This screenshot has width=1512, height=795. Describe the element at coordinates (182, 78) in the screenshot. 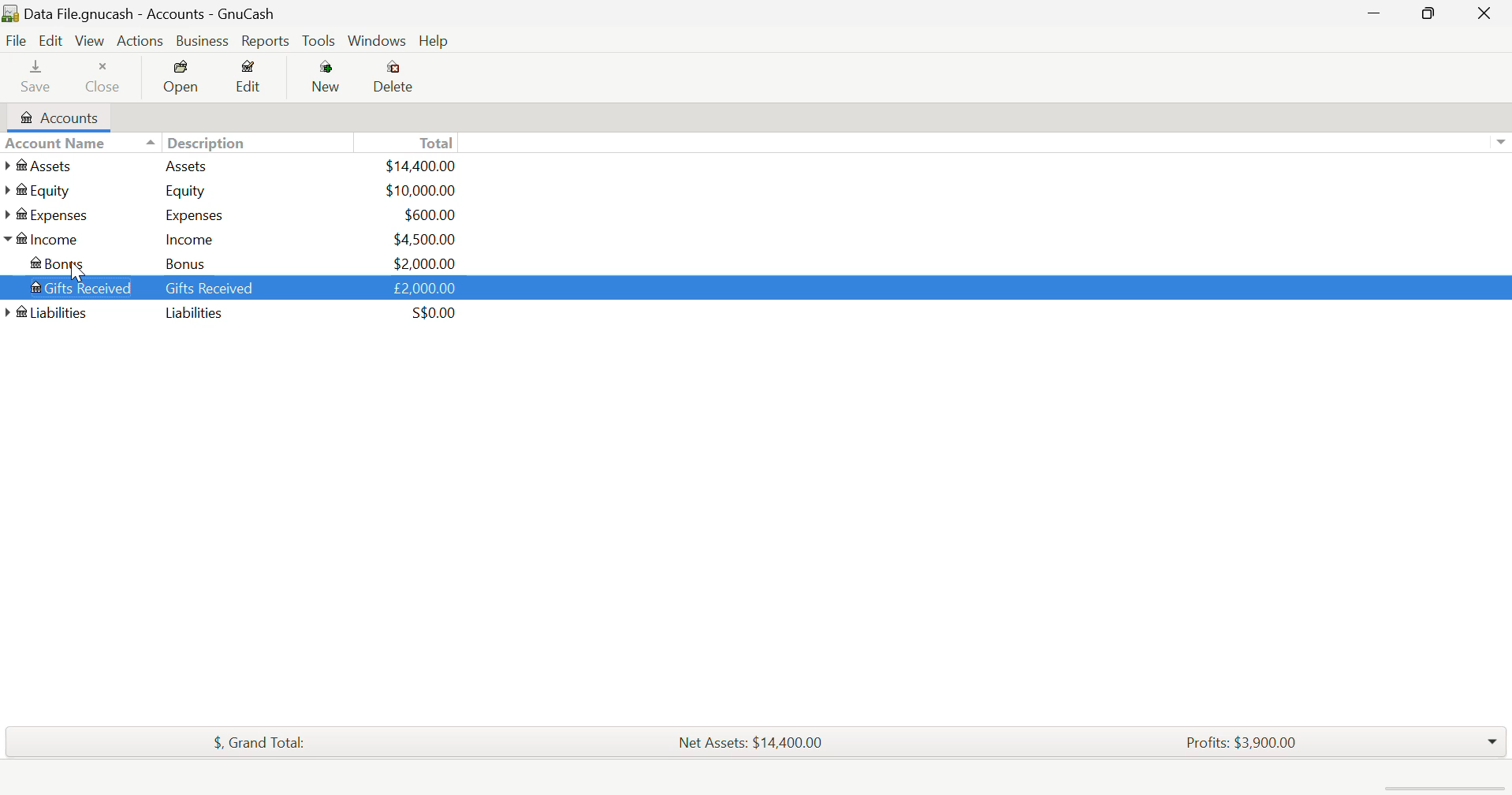

I see `Open` at that location.